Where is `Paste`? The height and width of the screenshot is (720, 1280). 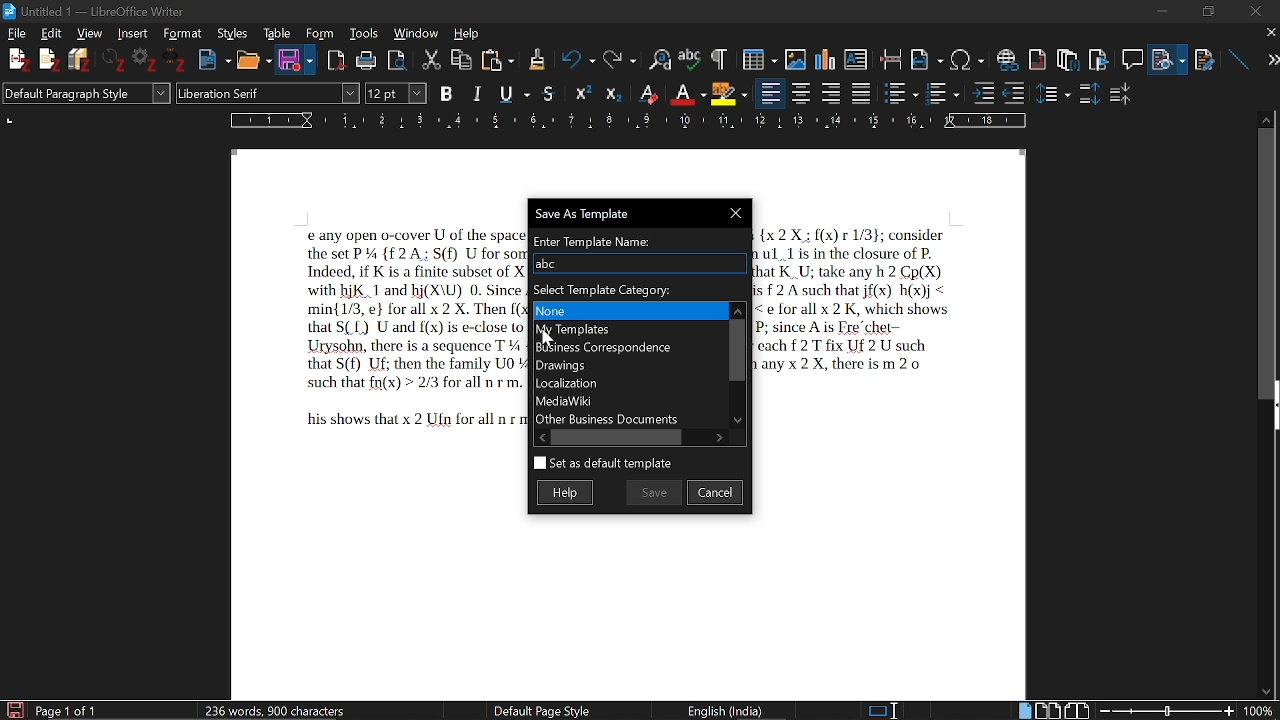 Paste is located at coordinates (499, 59).